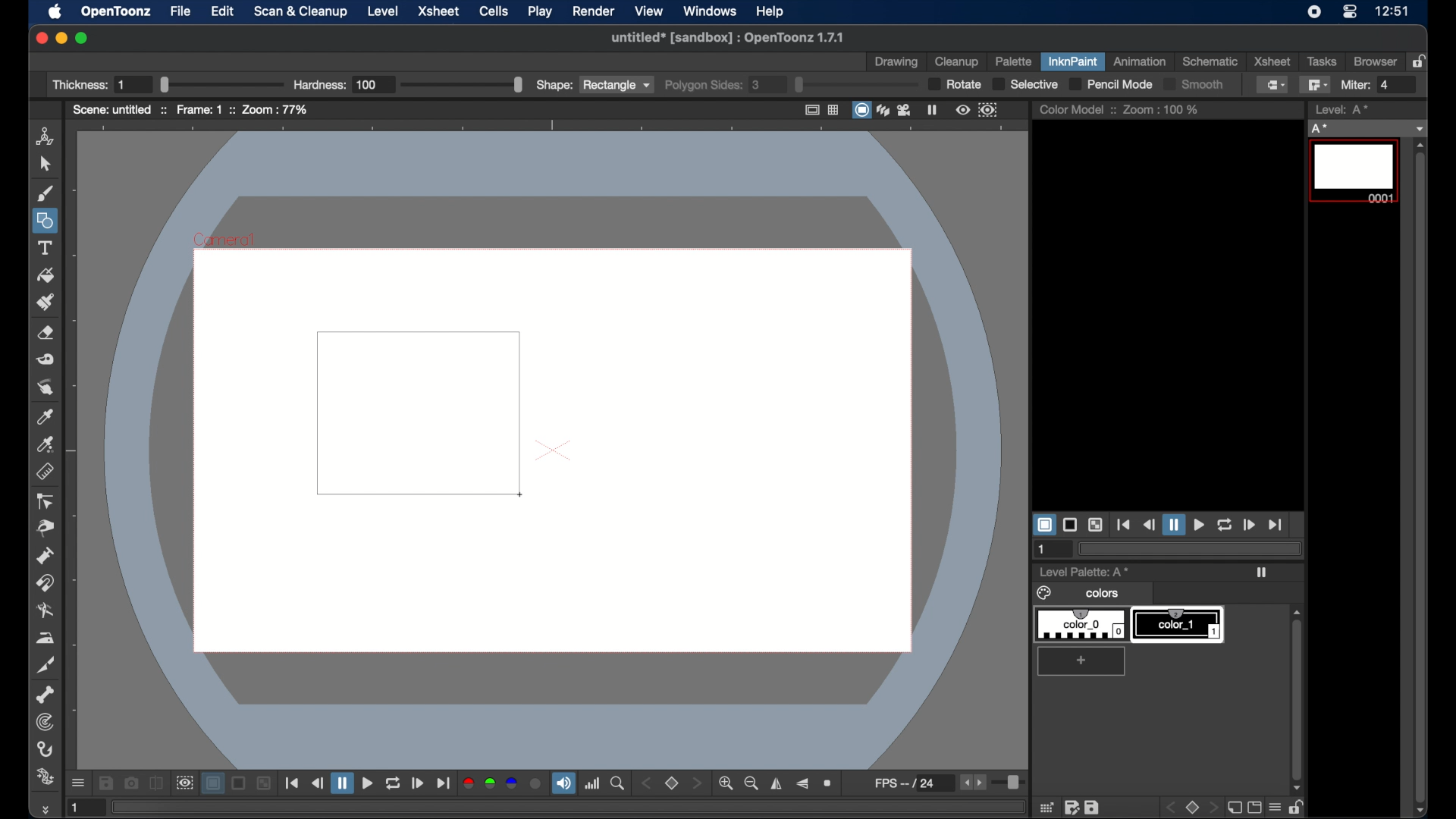 The height and width of the screenshot is (819, 1456). Describe the element at coordinates (383, 11) in the screenshot. I see `level` at that location.